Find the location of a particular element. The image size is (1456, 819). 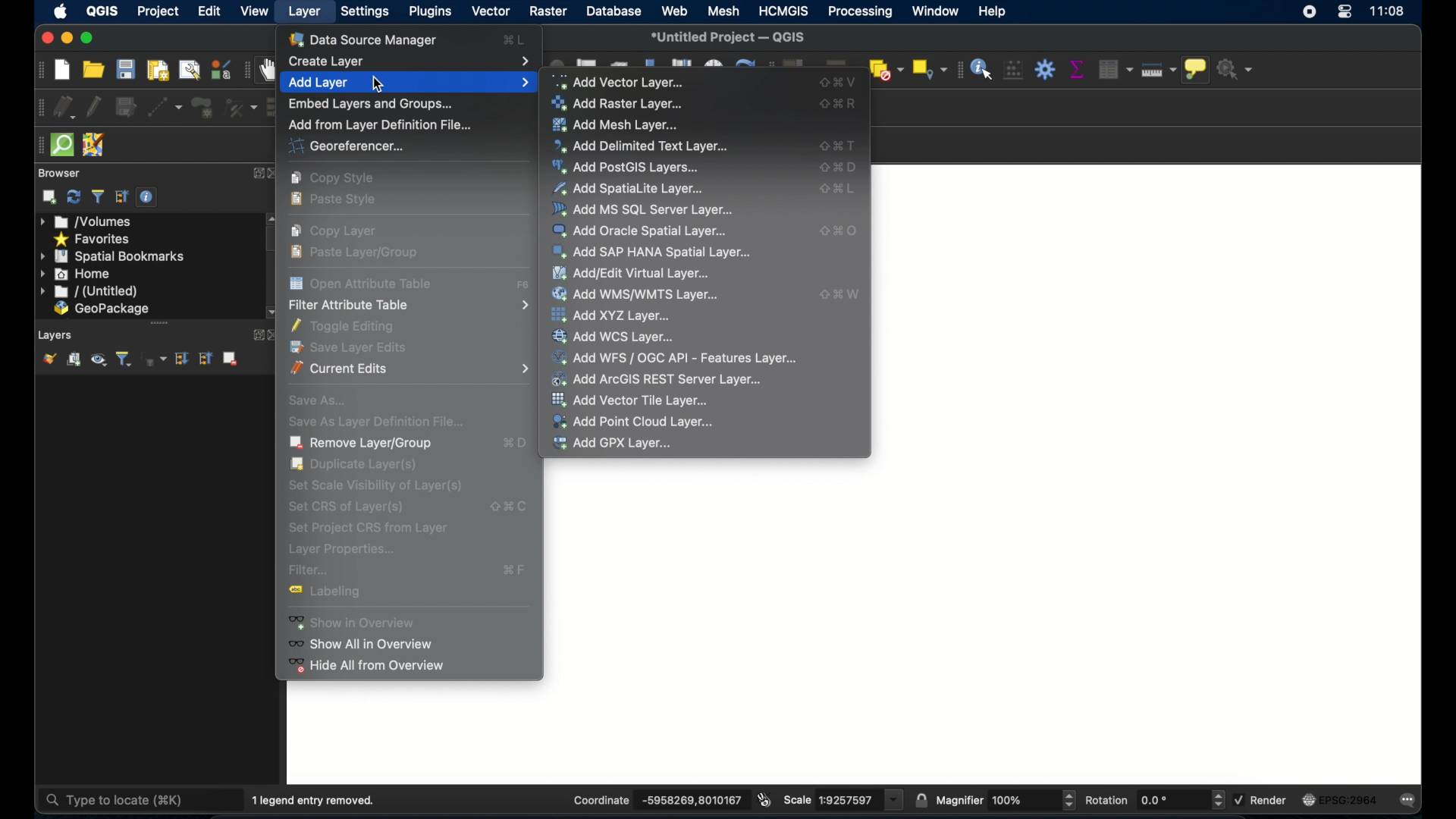

maximize is located at coordinates (87, 38).